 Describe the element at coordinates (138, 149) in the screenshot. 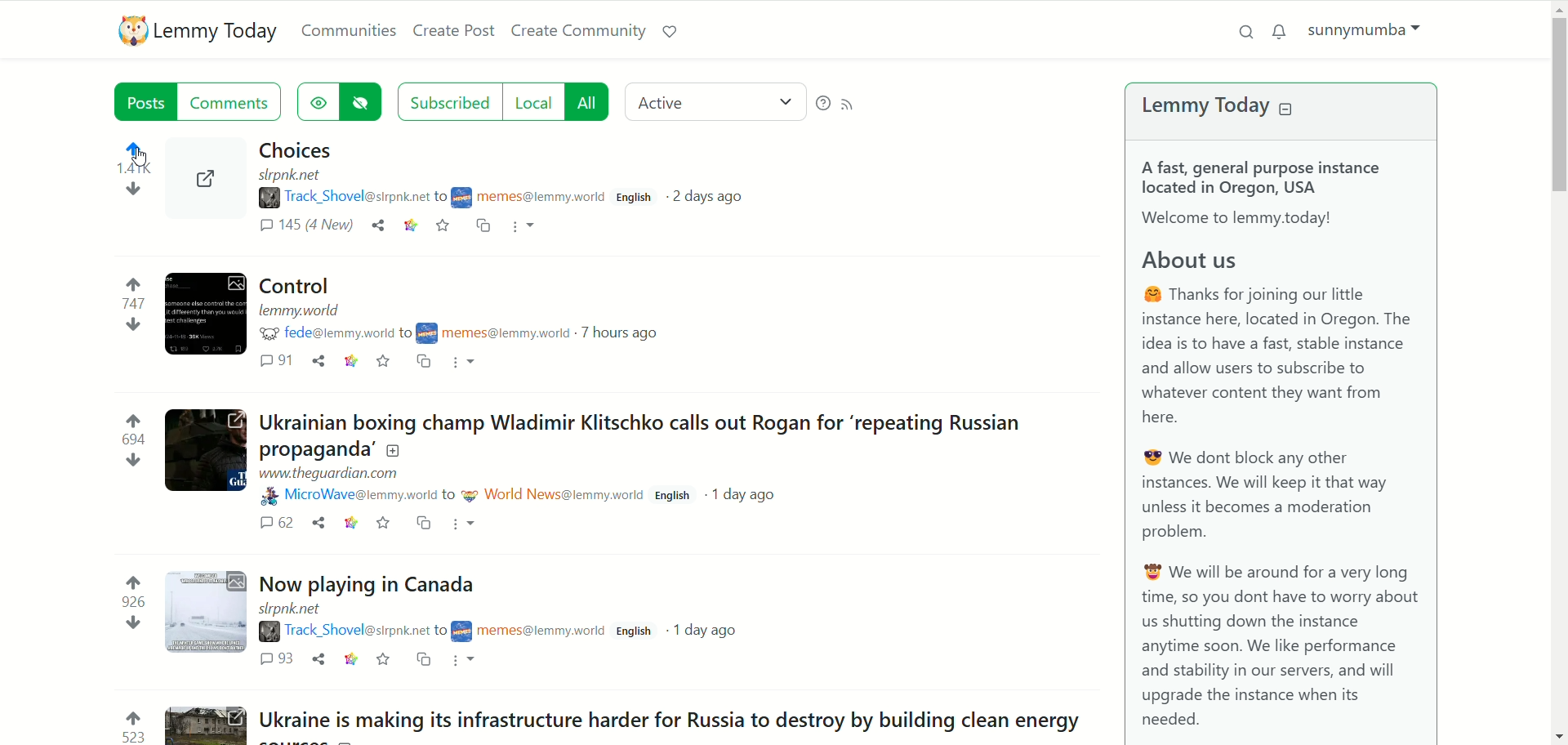

I see `upvote` at that location.